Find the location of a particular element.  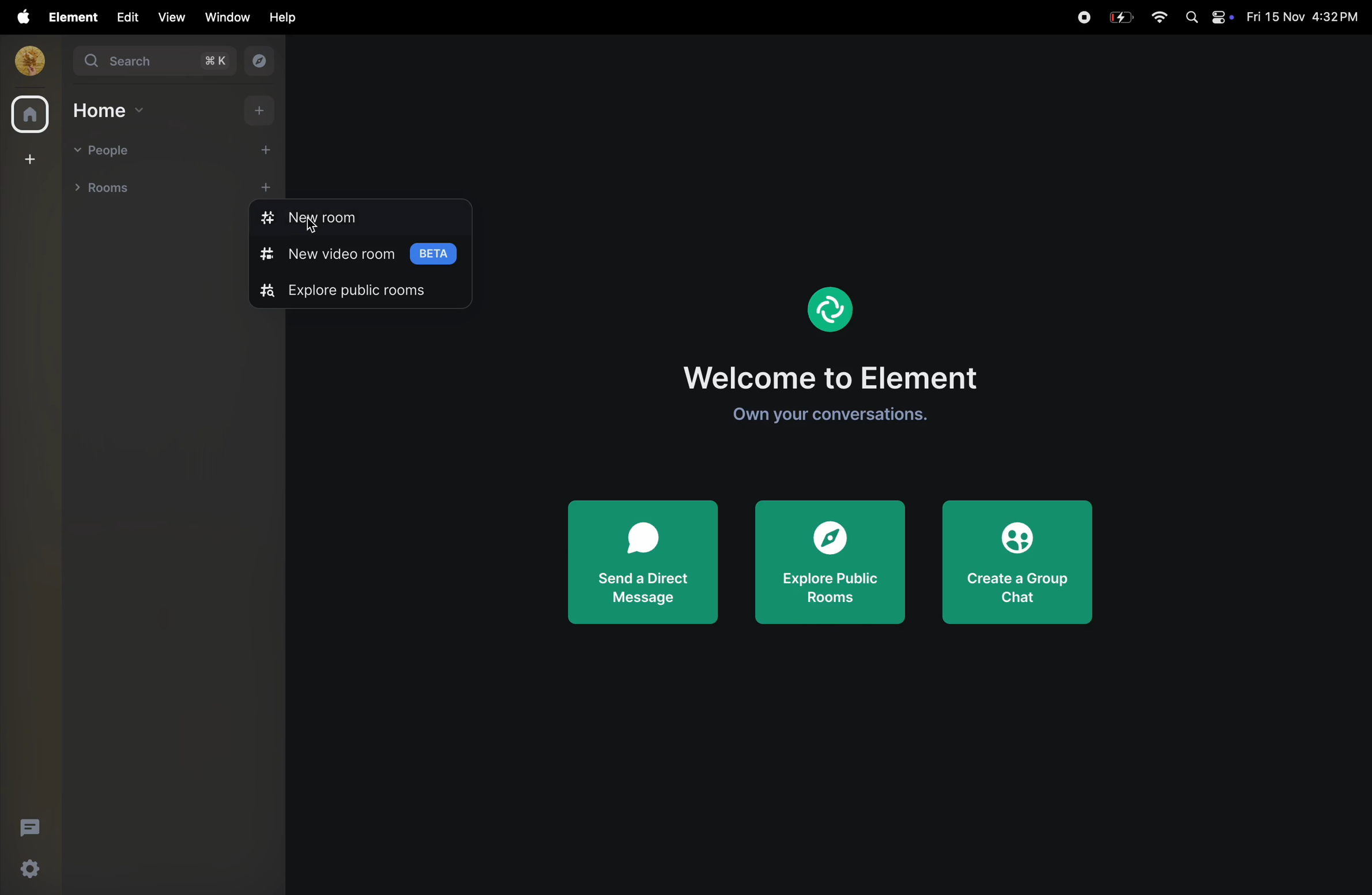

new room  is located at coordinates (335, 219).